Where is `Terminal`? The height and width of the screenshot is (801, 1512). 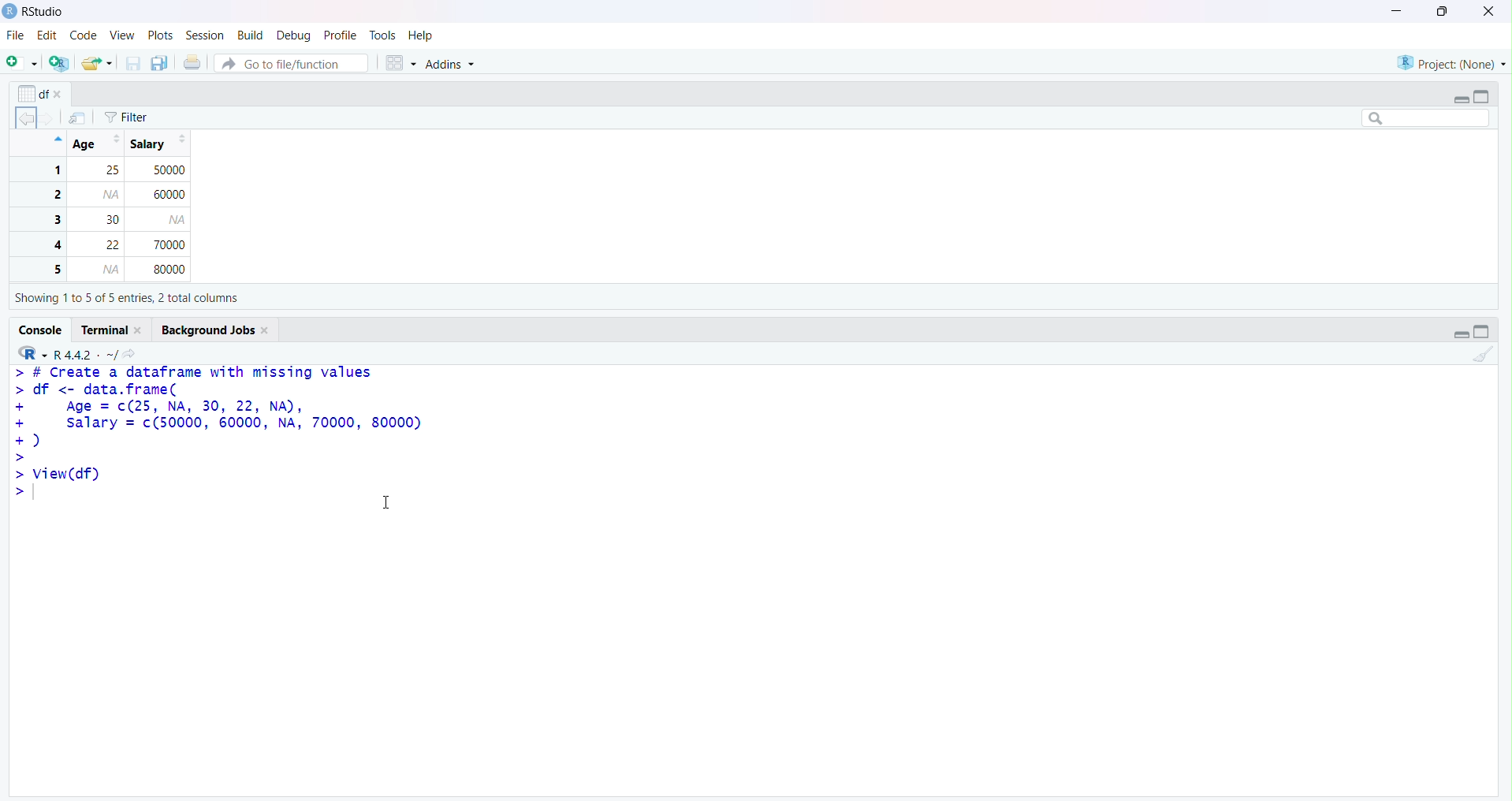
Terminal is located at coordinates (114, 329).